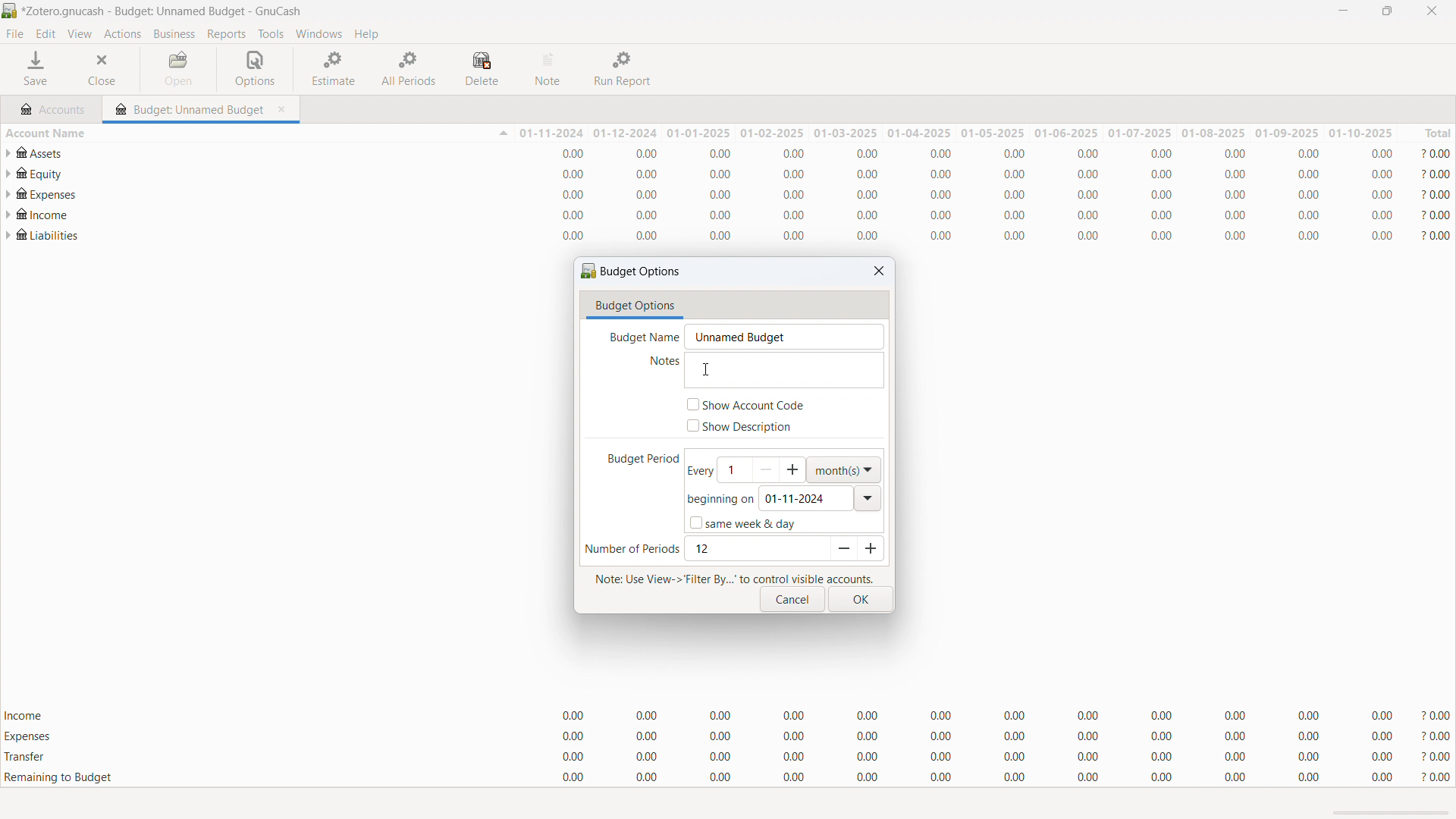  Describe the element at coordinates (742, 522) in the screenshot. I see `same week & day` at that location.